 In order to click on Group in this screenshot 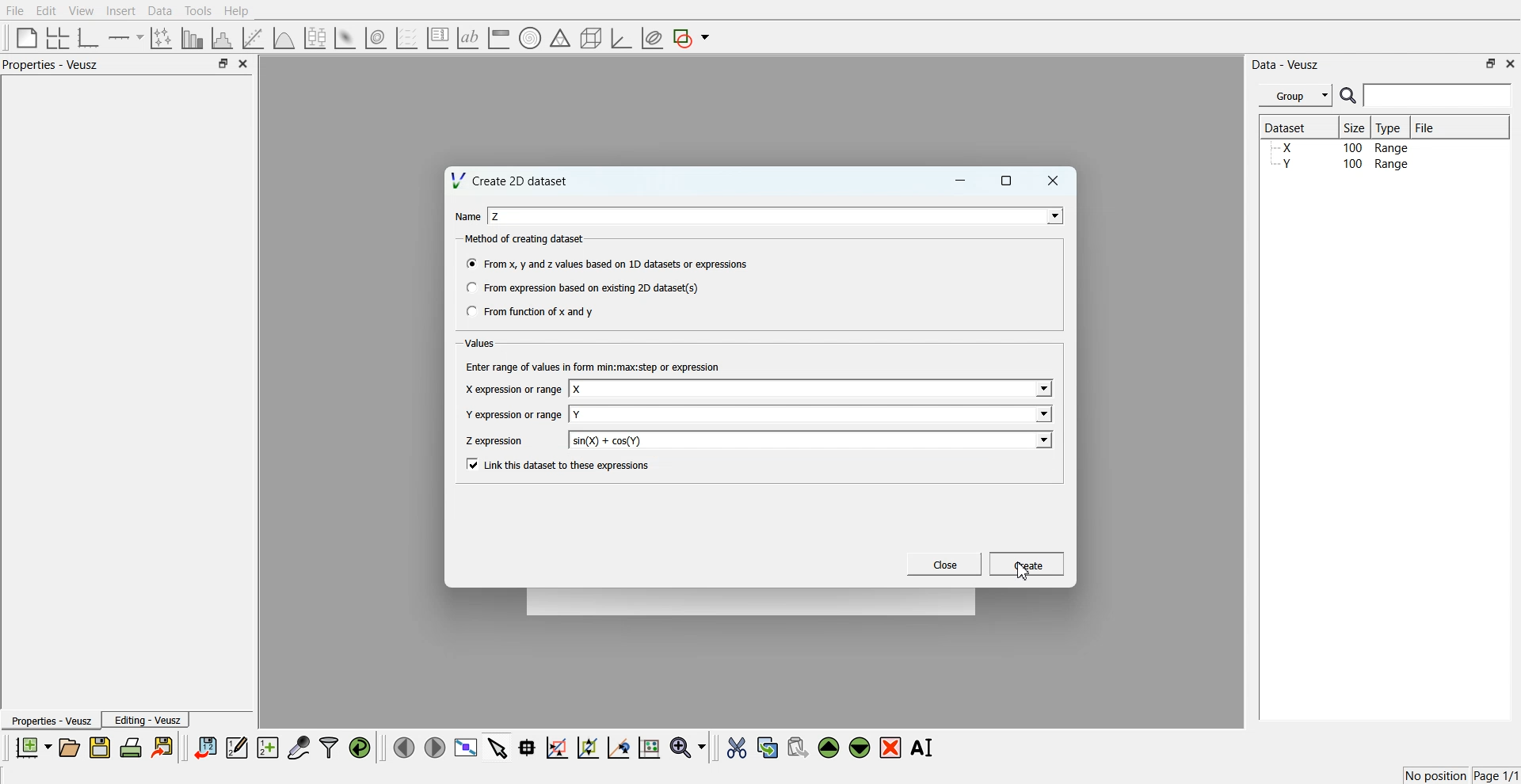, I will do `click(1296, 96)`.